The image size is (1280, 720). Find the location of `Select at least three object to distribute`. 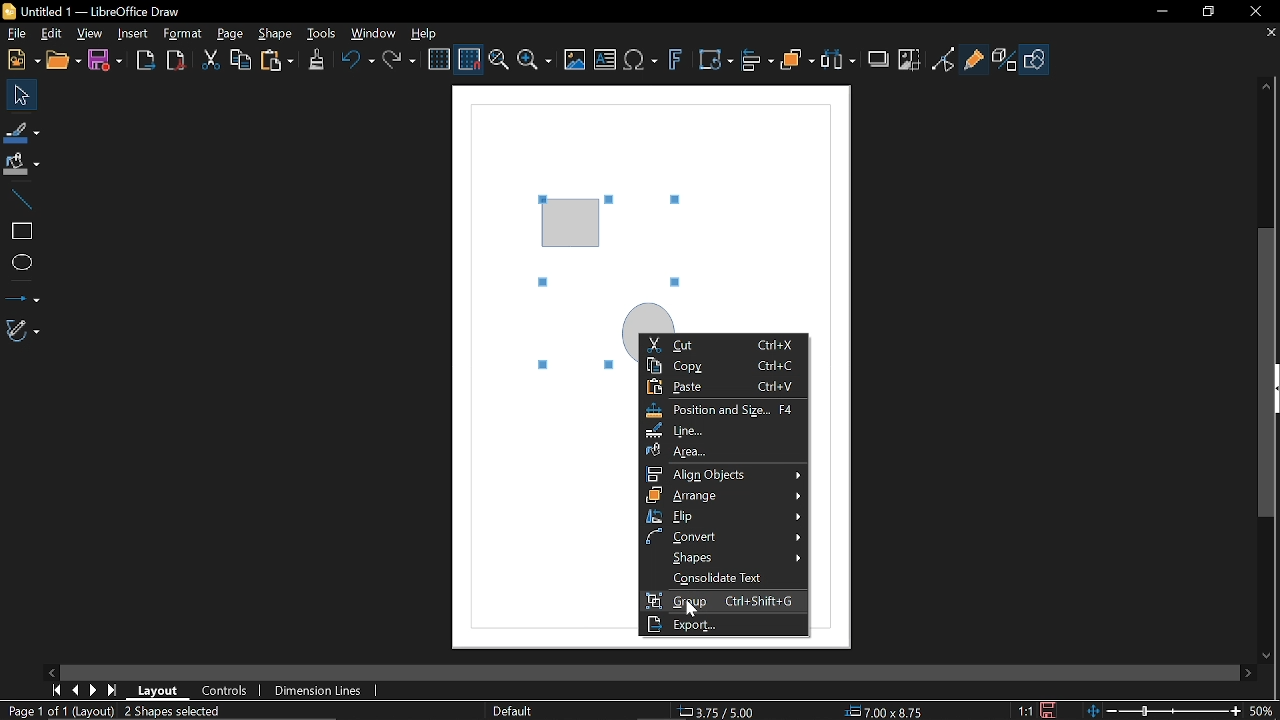

Select at least three object to distribute is located at coordinates (839, 62).